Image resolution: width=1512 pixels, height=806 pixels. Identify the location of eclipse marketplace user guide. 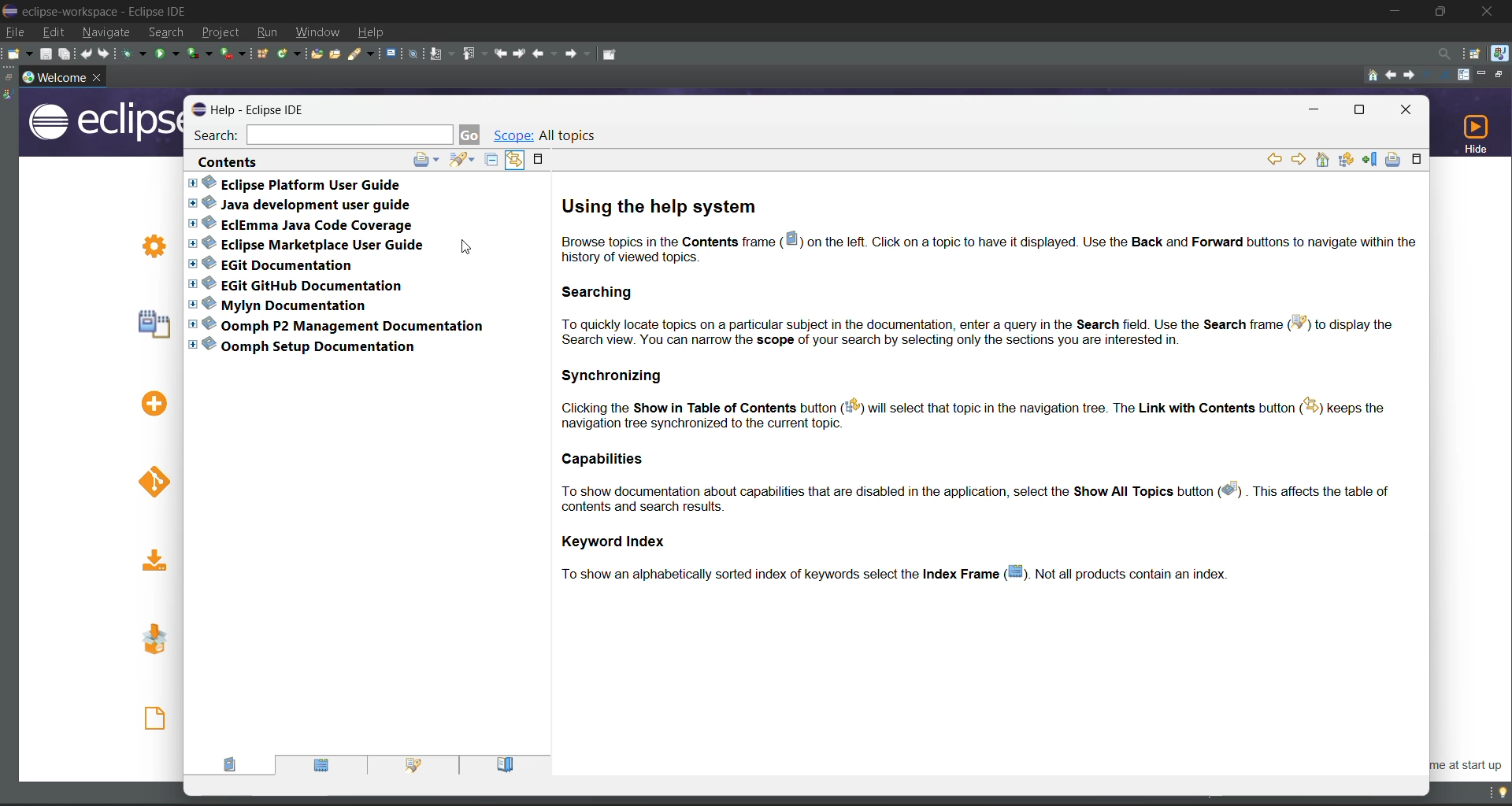
(308, 244).